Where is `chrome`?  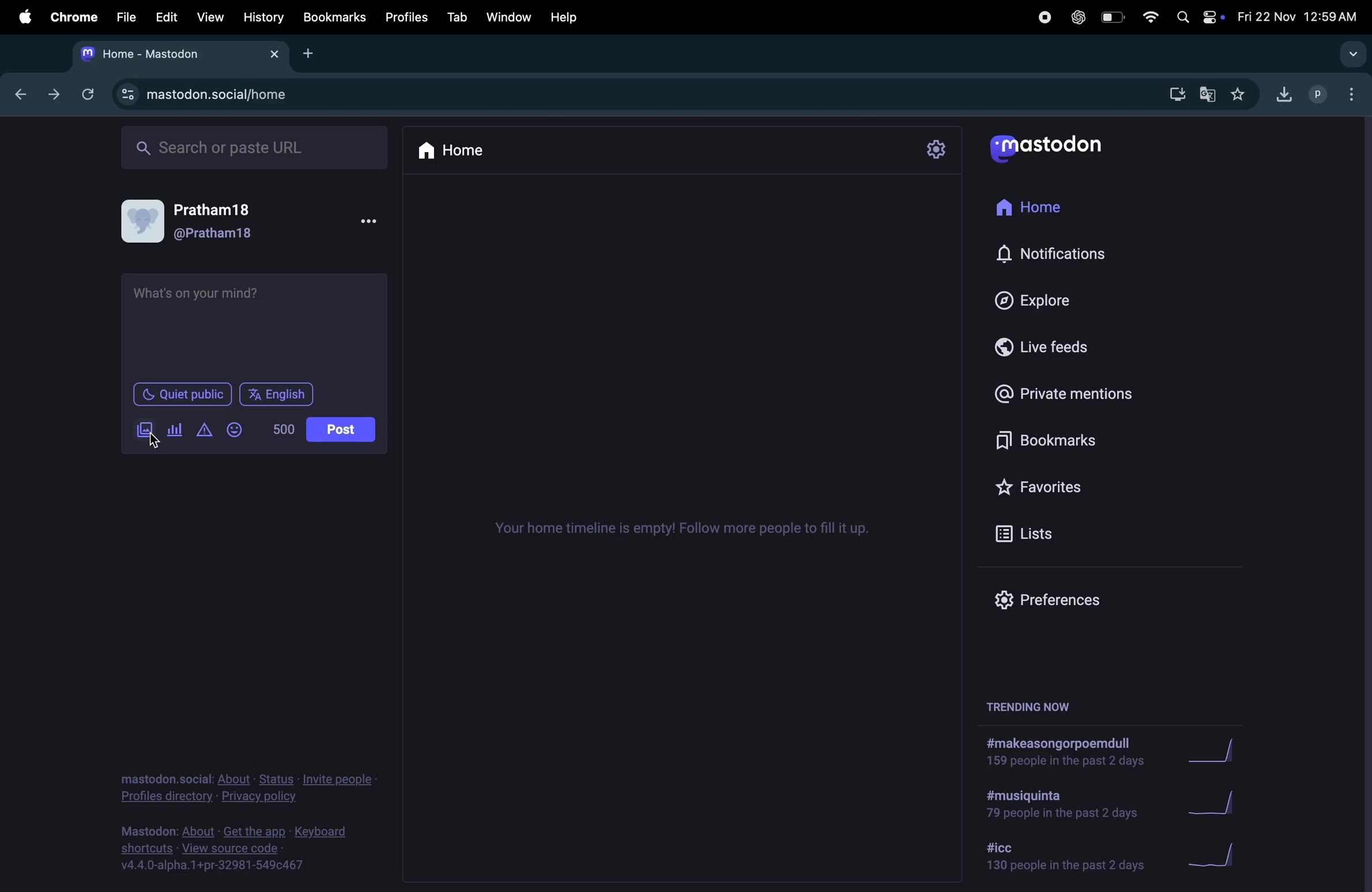 chrome is located at coordinates (74, 17).